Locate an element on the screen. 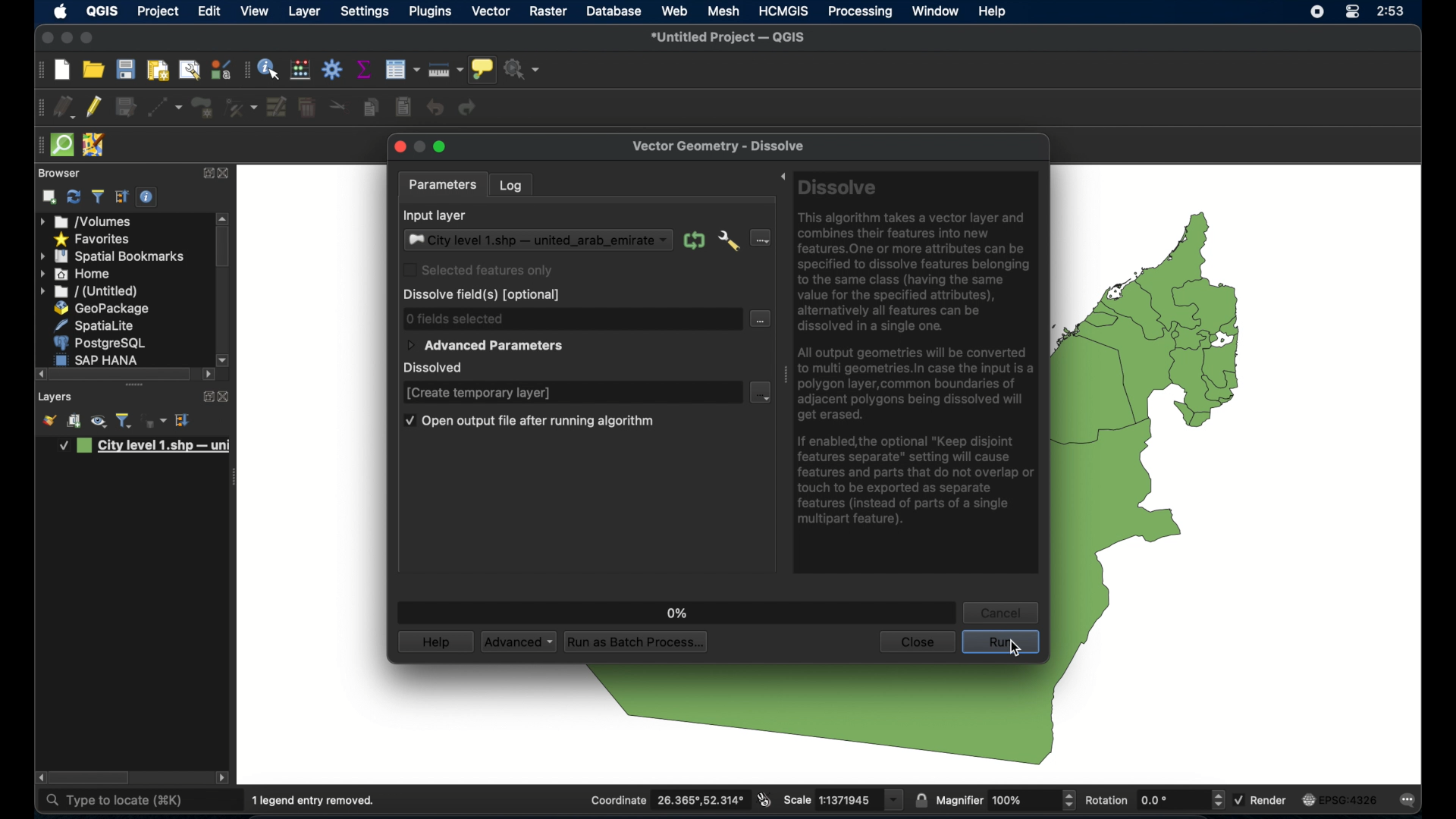 The image size is (1456, 819). vector geometry - dissolve is located at coordinates (720, 148).